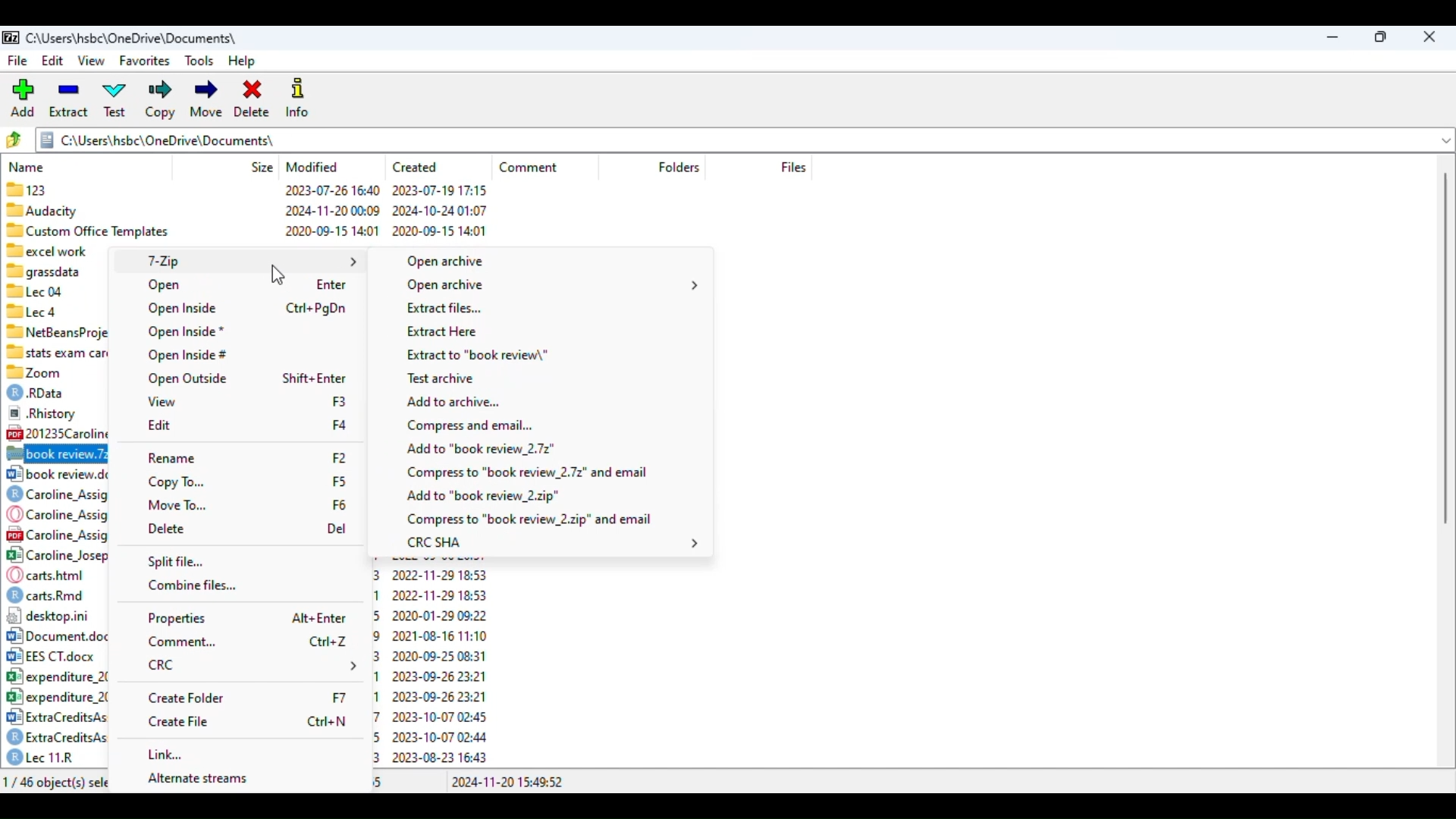 The width and height of the screenshot is (1456, 819). Describe the element at coordinates (56, 715) in the screenshot. I see `3 ExtraCreditsAssignment... 60228 2023-10-07 02:57 2023-10-07 02:45` at that location.